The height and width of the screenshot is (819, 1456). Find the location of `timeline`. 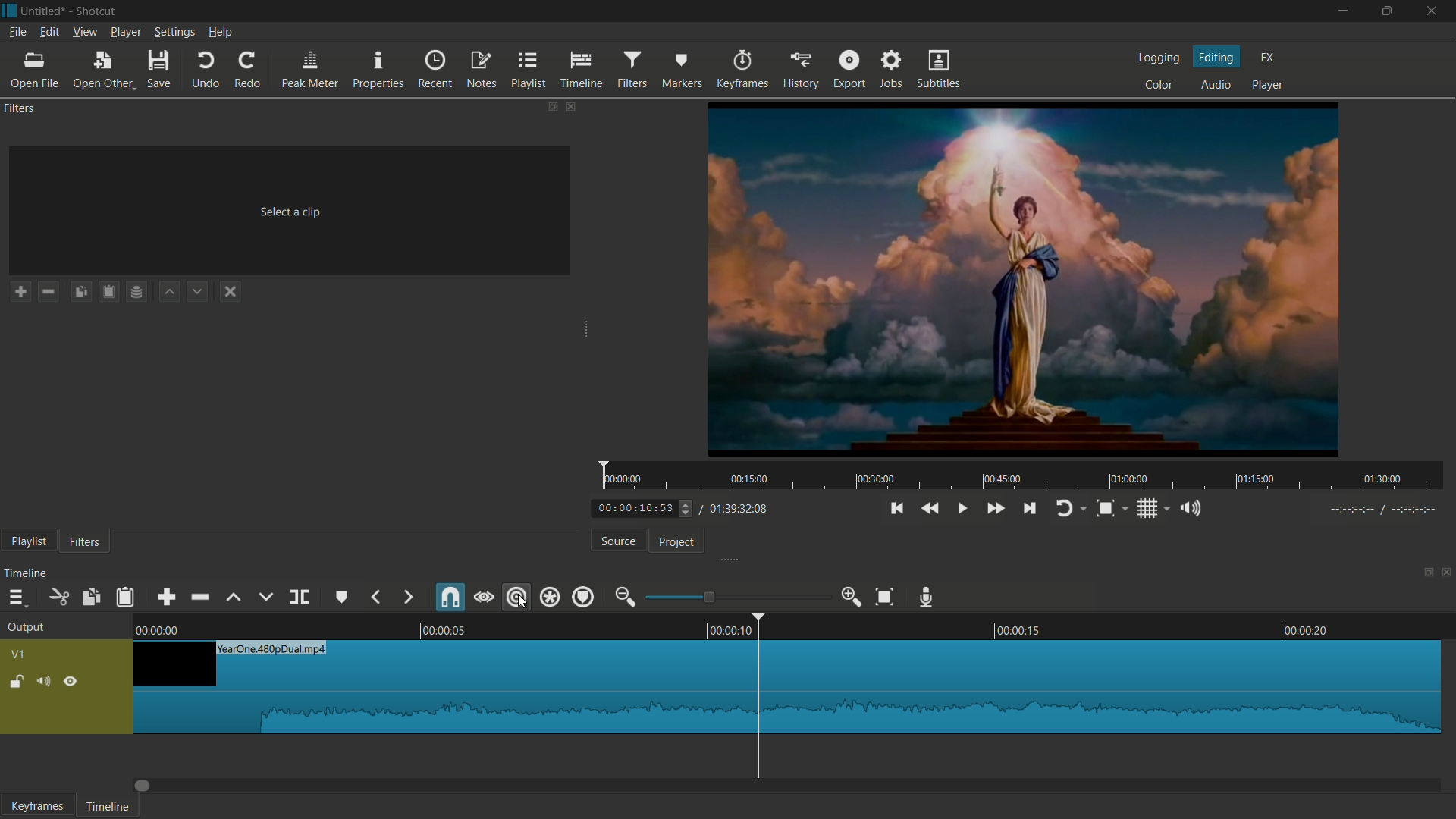

timeline is located at coordinates (582, 70).